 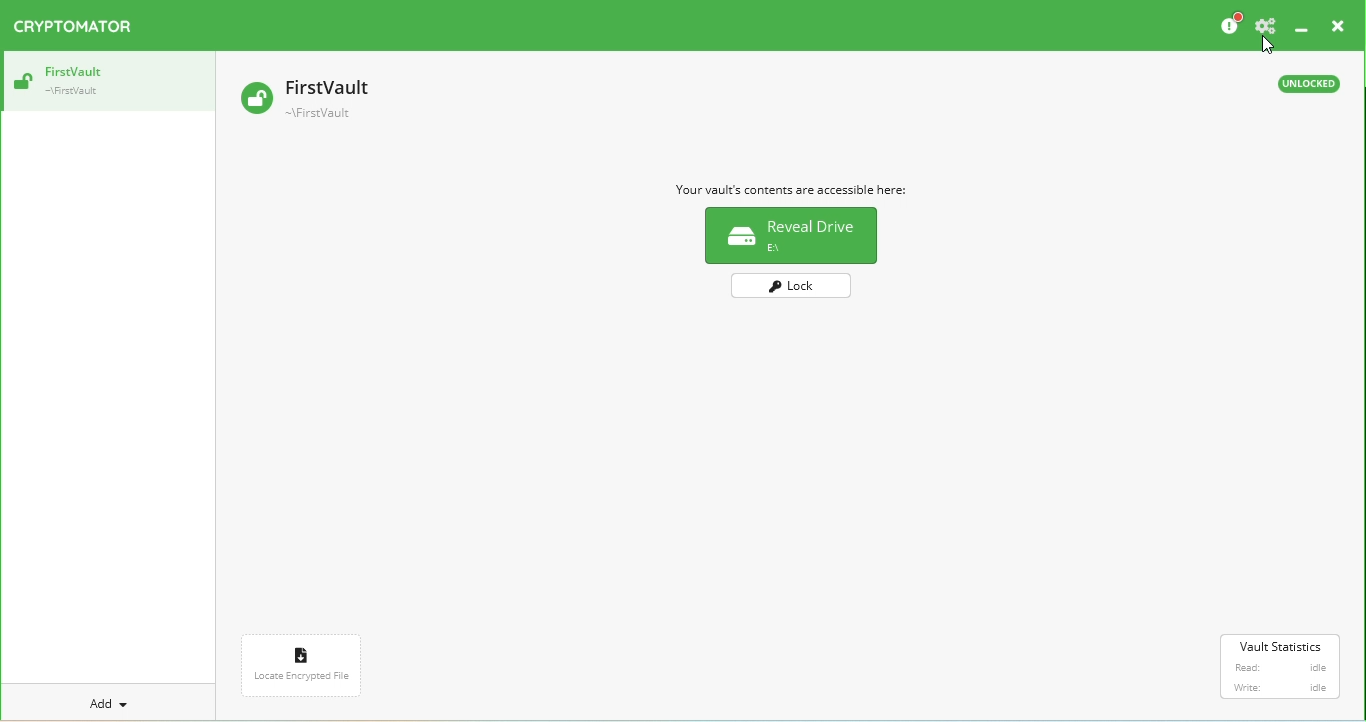 I want to click on Minimize, so click(x=1303, y=27).